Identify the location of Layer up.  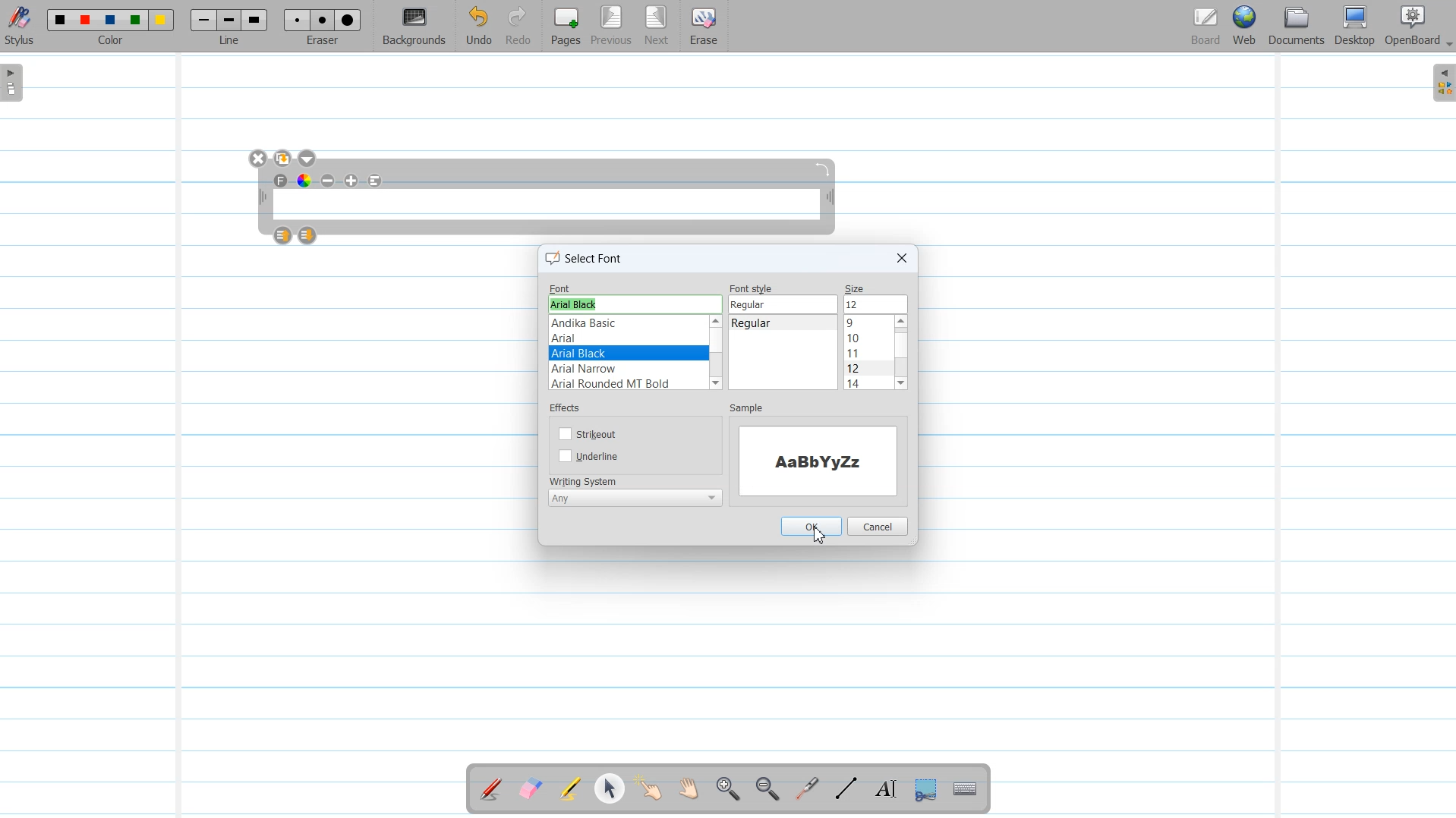
(284, 235).